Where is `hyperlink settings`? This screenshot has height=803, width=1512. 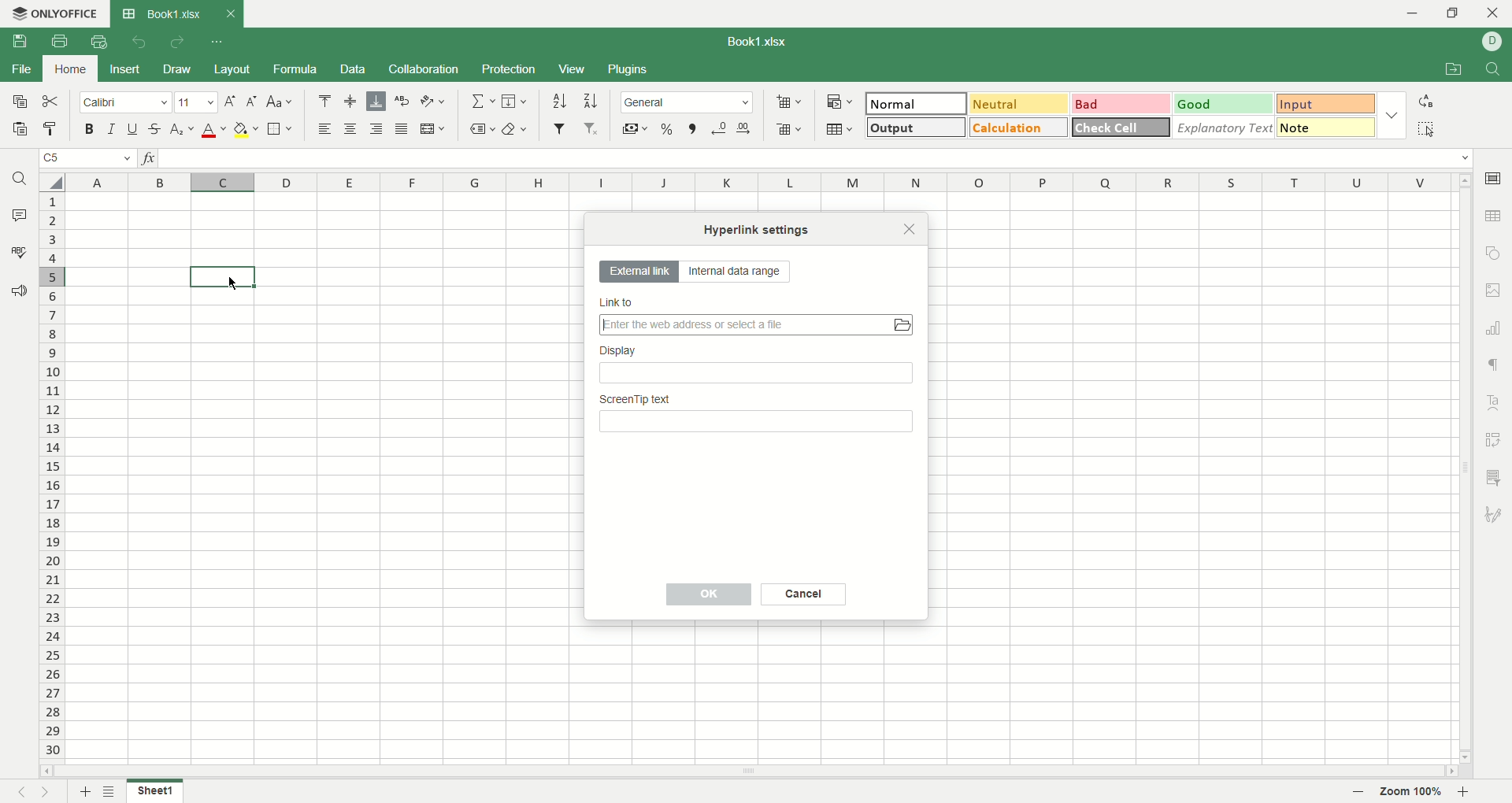
hyperlink settings is located at coordinates (759, 229).